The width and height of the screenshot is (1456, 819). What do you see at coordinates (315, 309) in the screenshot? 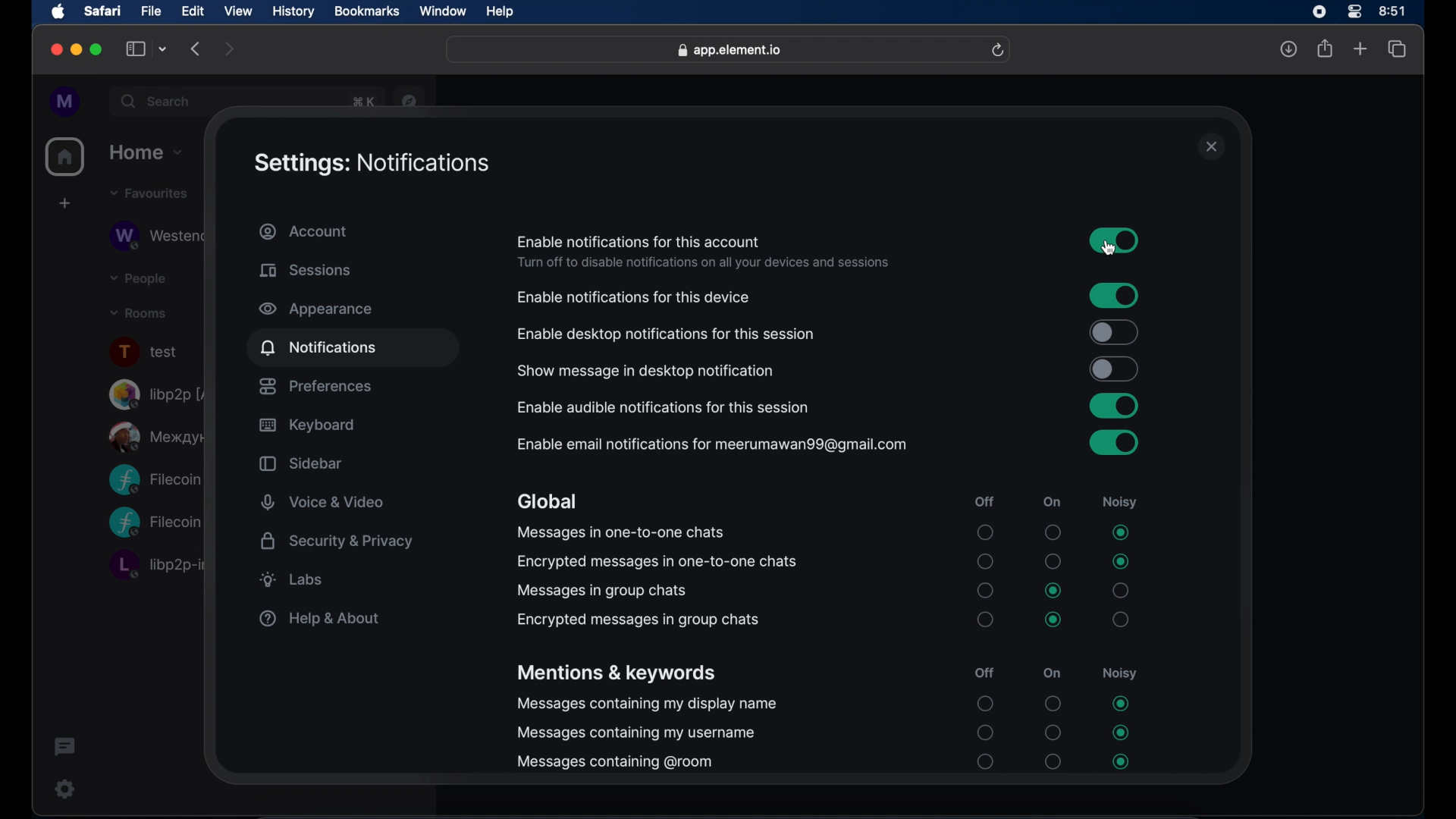
I see `appearance` at bounding box center [315, 309].